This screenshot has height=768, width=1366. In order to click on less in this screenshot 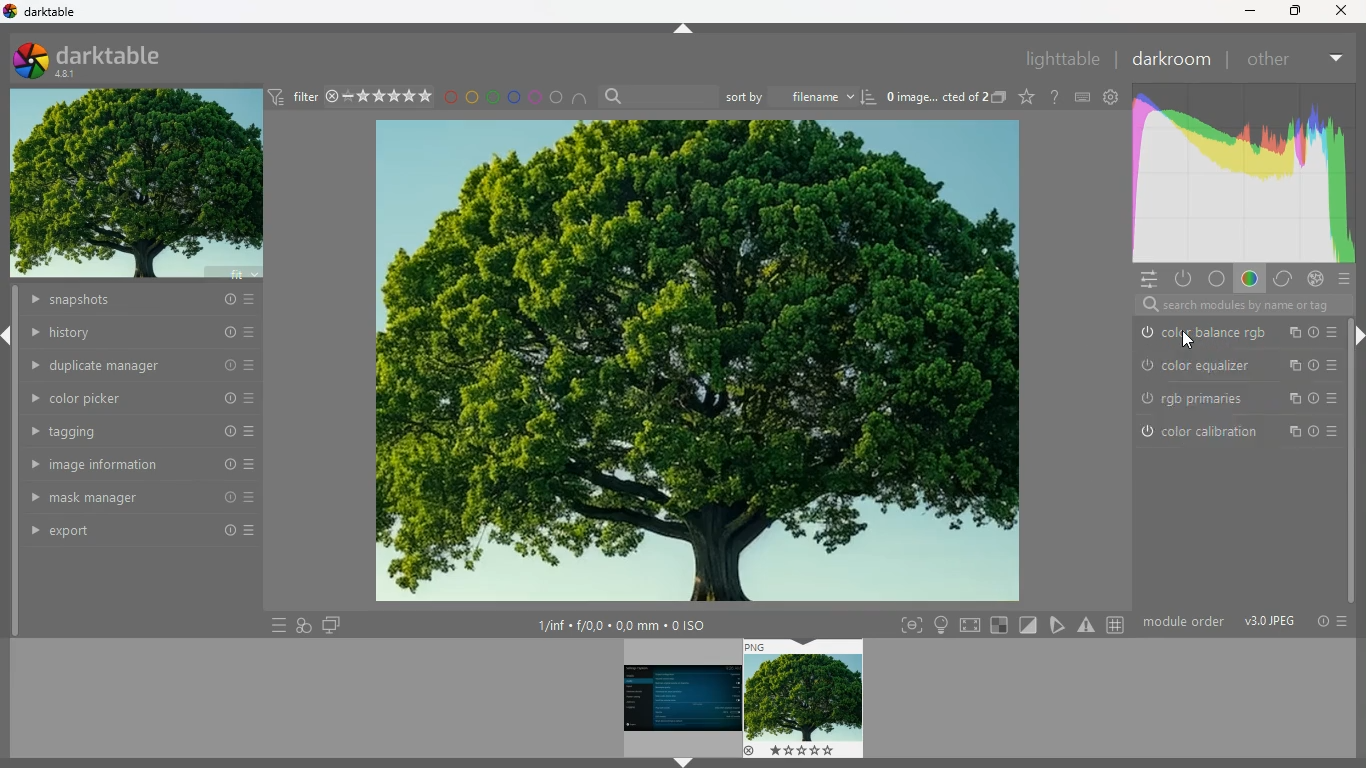, I will do `click(1333, 55)`.